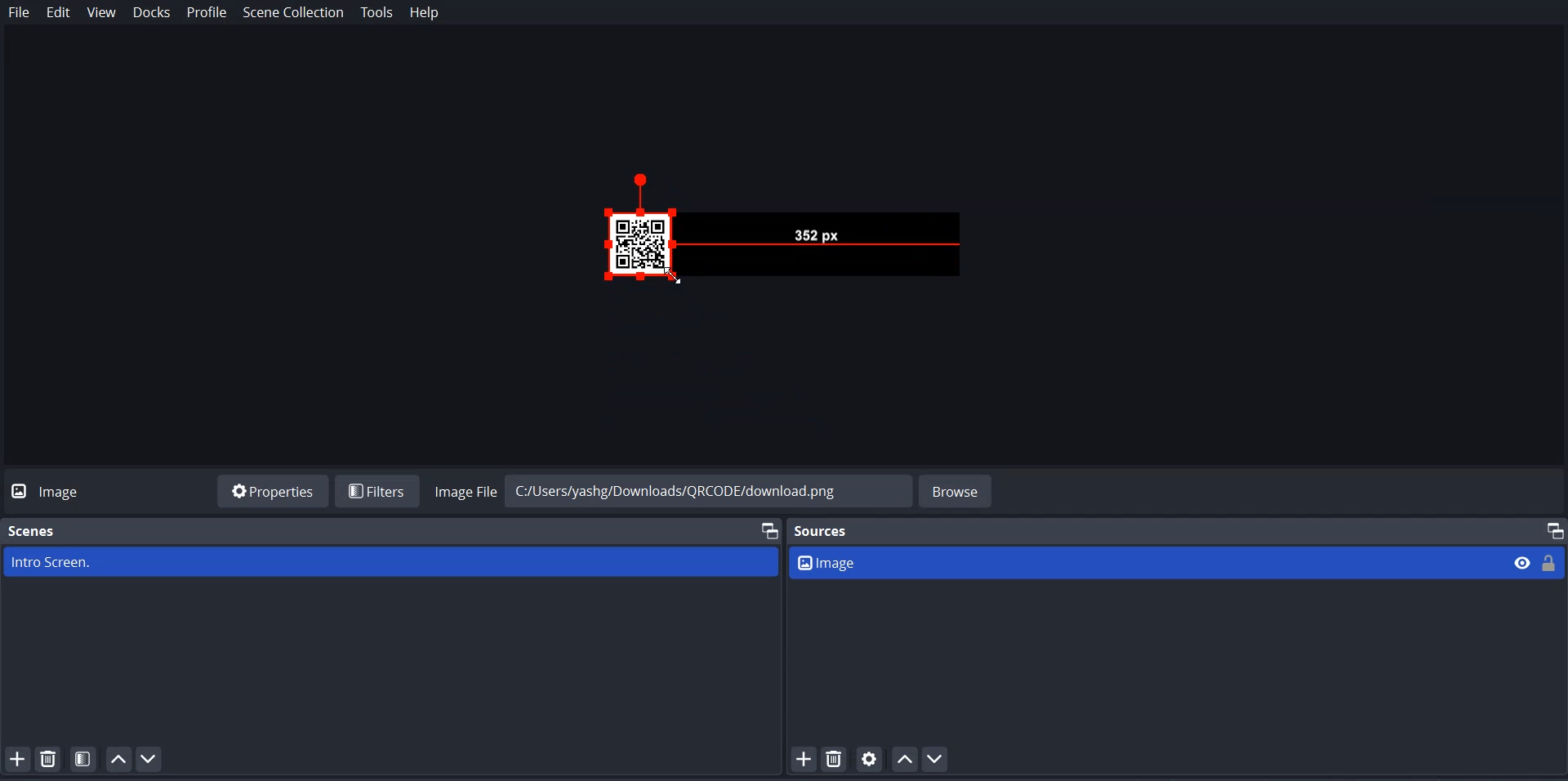 The height and width of the screenshot is (781, 1568). What do you see at coordinates (835, 759) in the screenshot?
I see `Remove Selected Source` at bounding box center [835, 759].